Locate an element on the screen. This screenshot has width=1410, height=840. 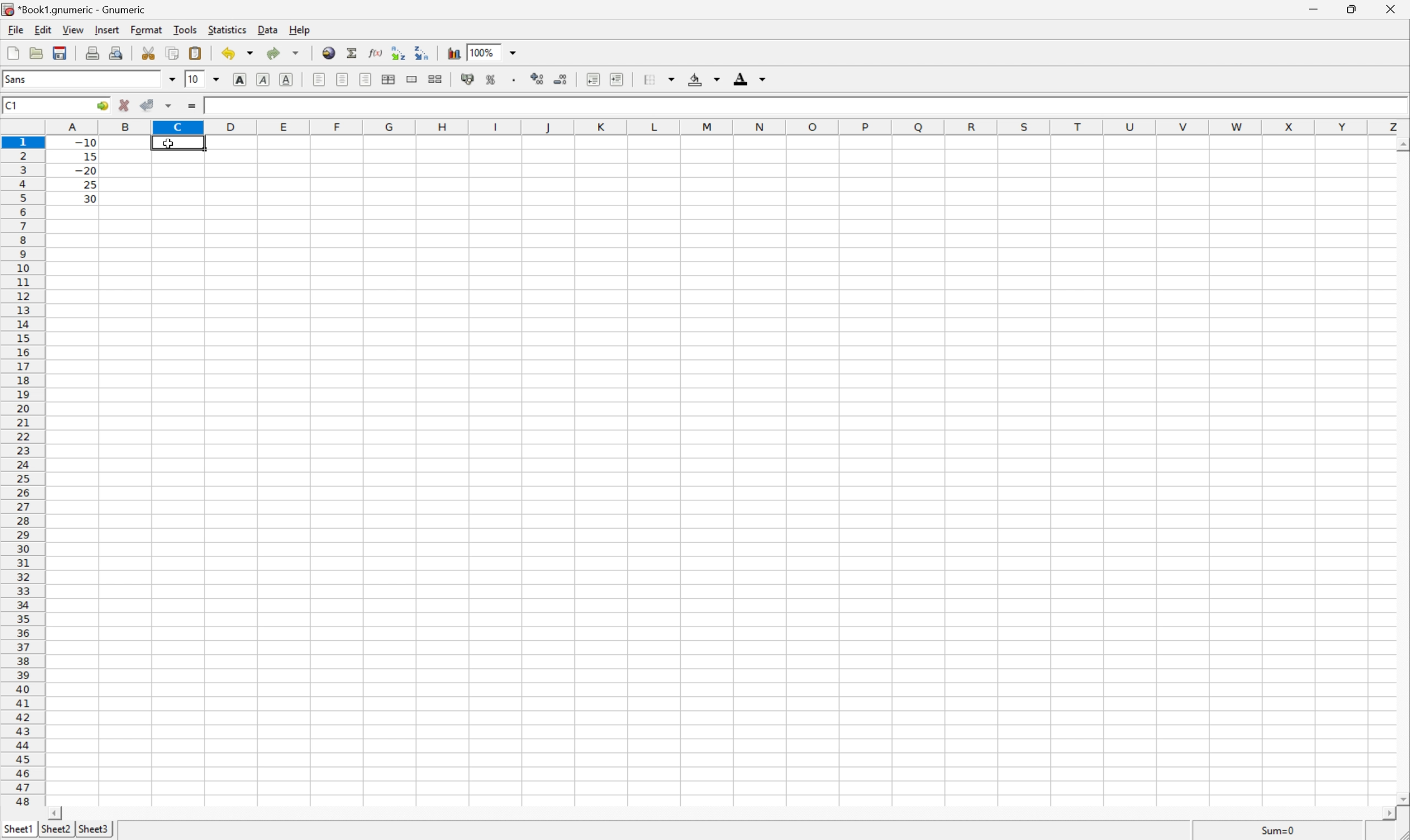
Sort the selected region in descending order based on the first column selected is located at coordinates (421, 52).